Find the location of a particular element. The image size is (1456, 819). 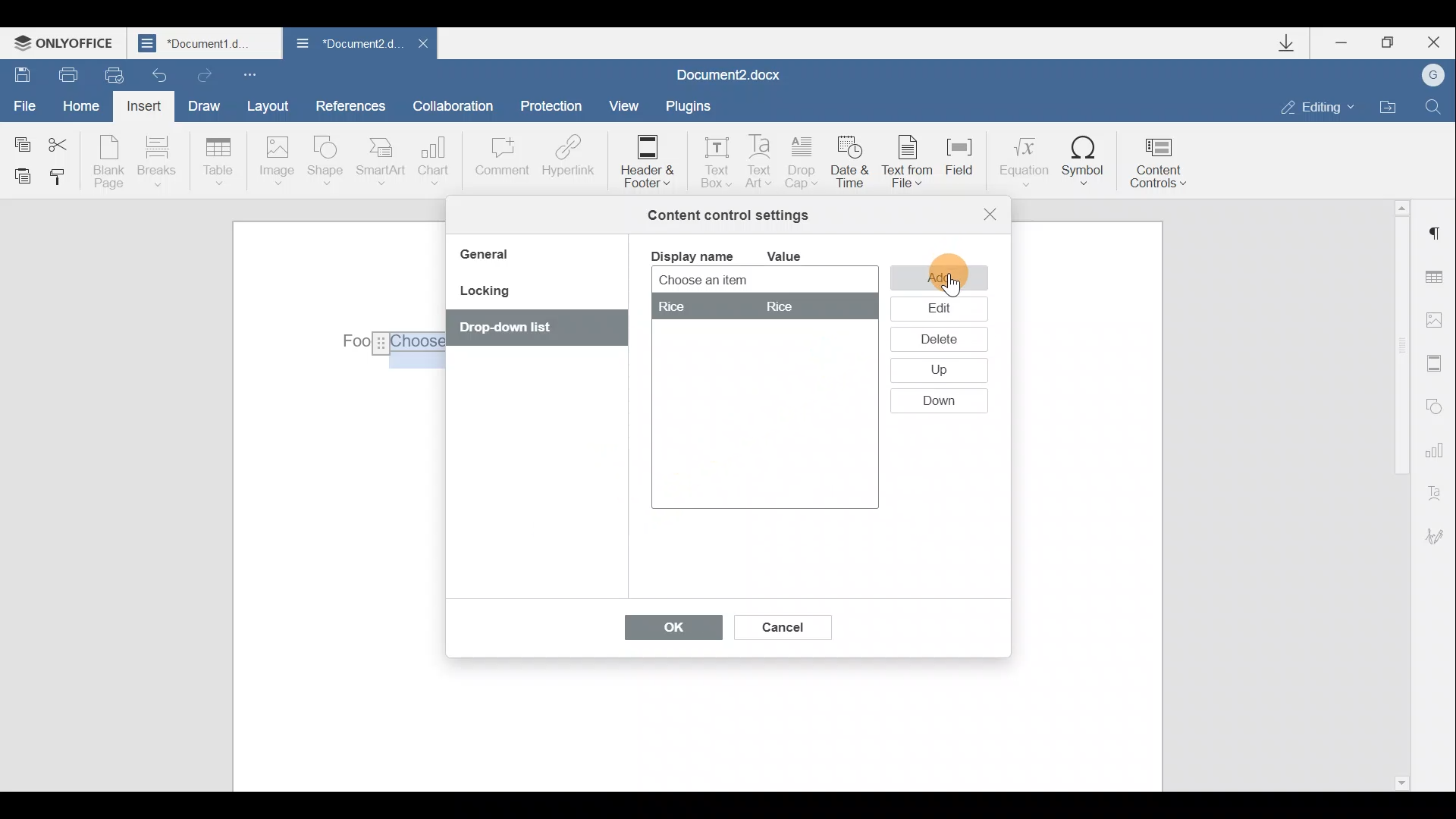

Table is located at coordinates (219, 163).